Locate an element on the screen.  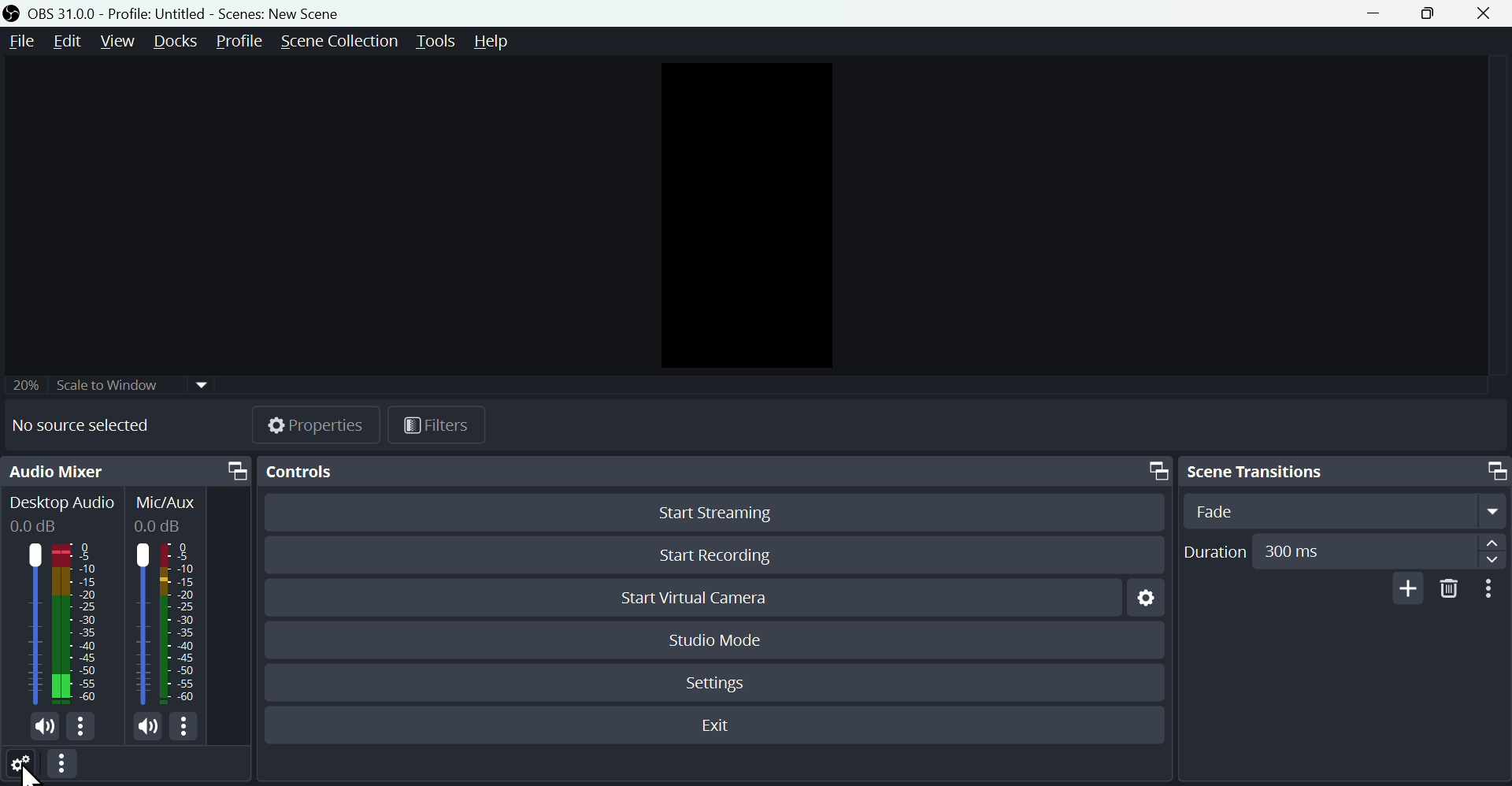
More options is located at coordinates (1494, 590).